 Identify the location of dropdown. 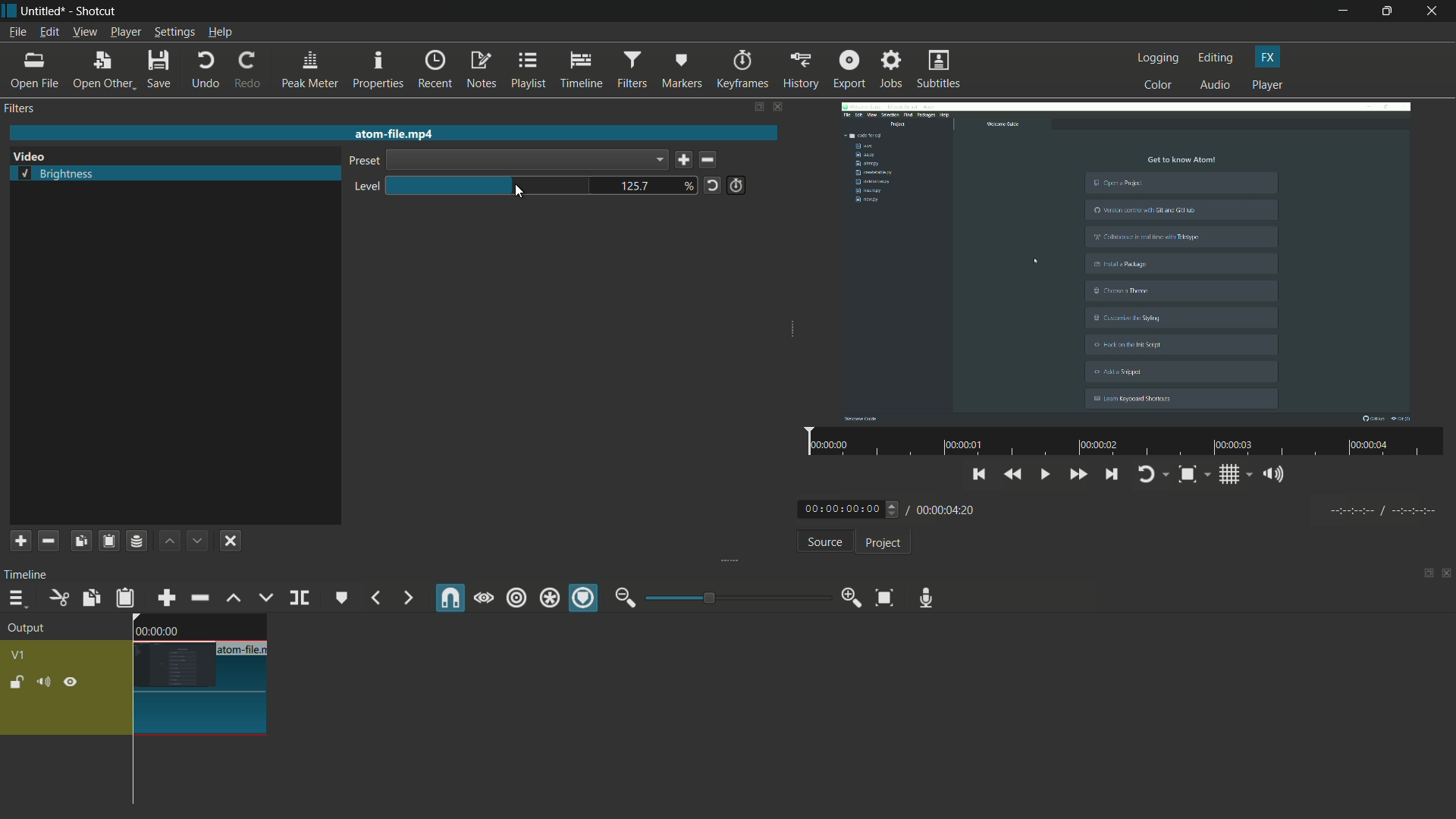
(526, 160).